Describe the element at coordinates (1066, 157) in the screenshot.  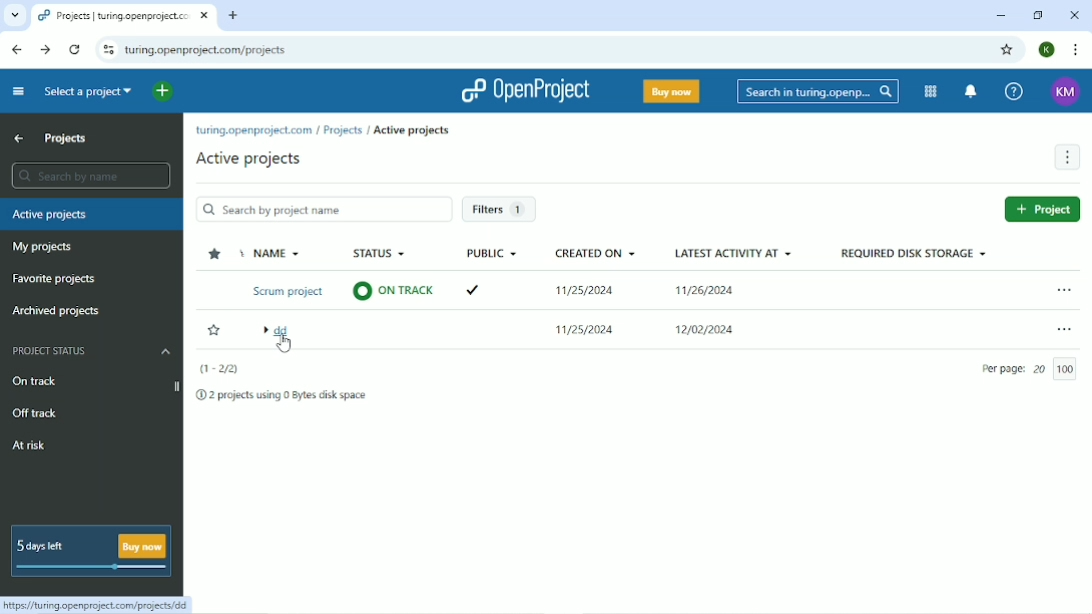
I see `More` at that location.